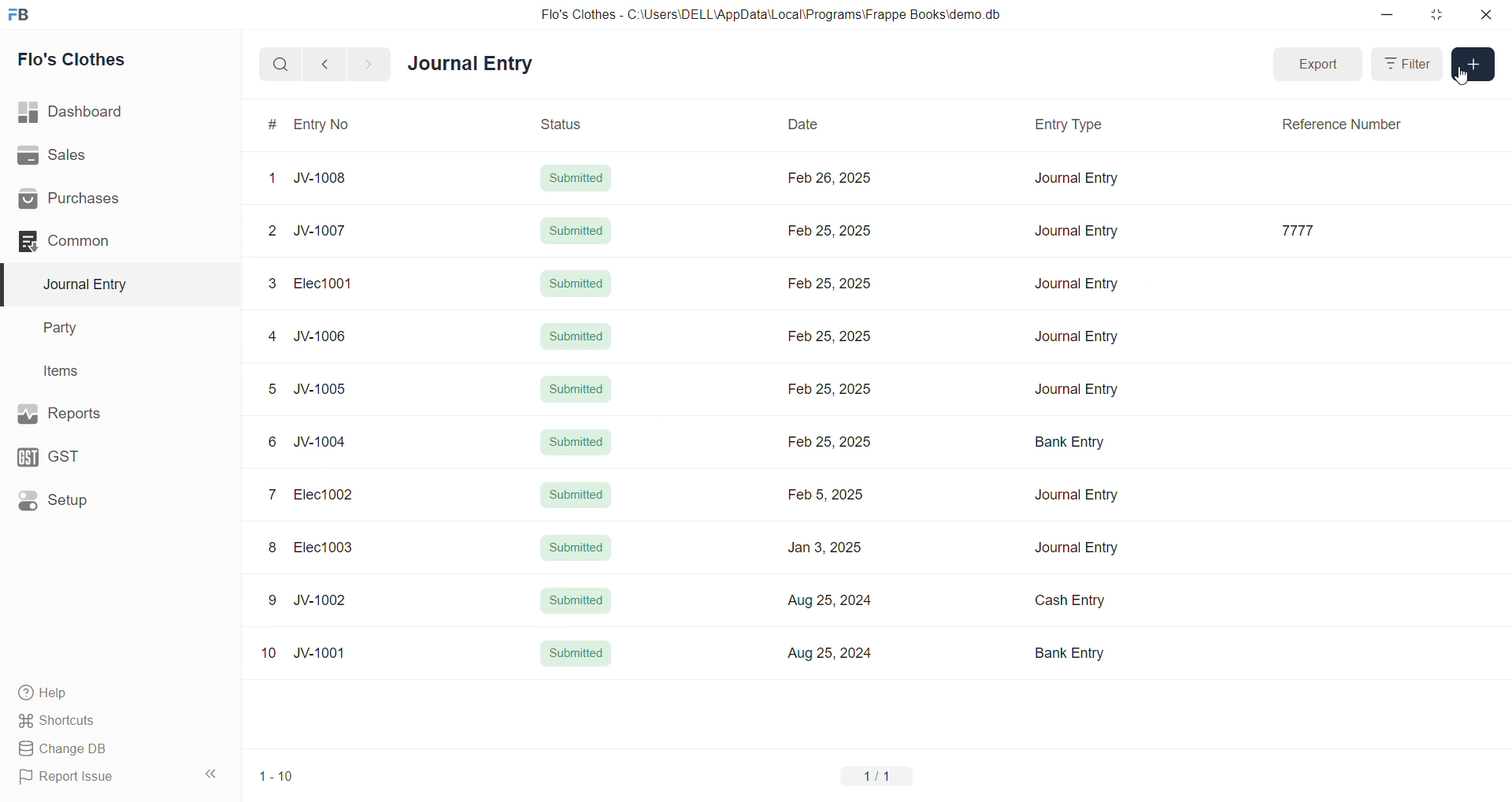 The width and height of the screenshot is (1512, 802). What do you see at coordinates (269, 654) in the screenshot?
I see `10` at bounding box center [269, 654].